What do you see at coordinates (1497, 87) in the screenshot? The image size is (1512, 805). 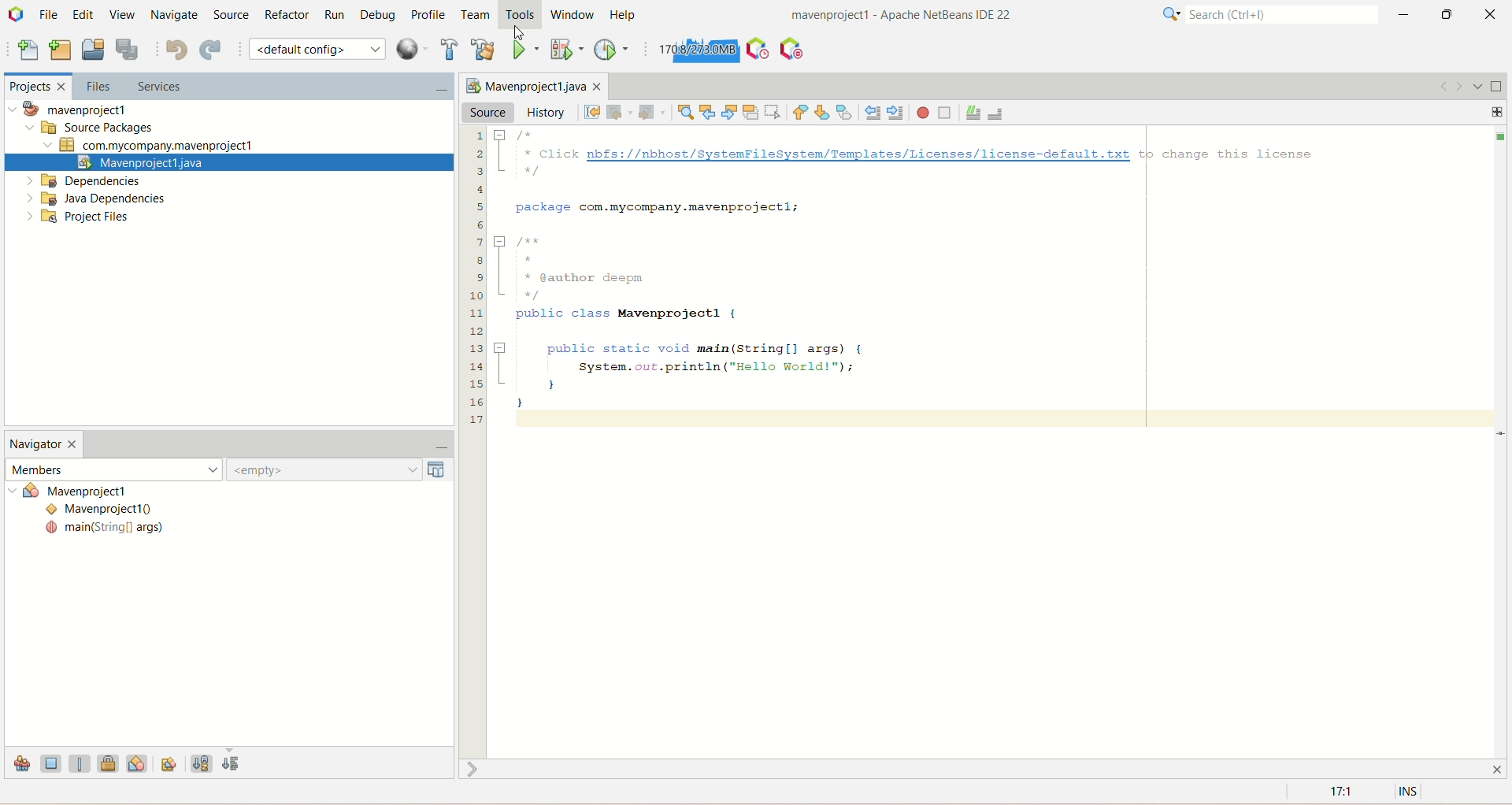 I see `maximize` at bounding box center [1497, 87].